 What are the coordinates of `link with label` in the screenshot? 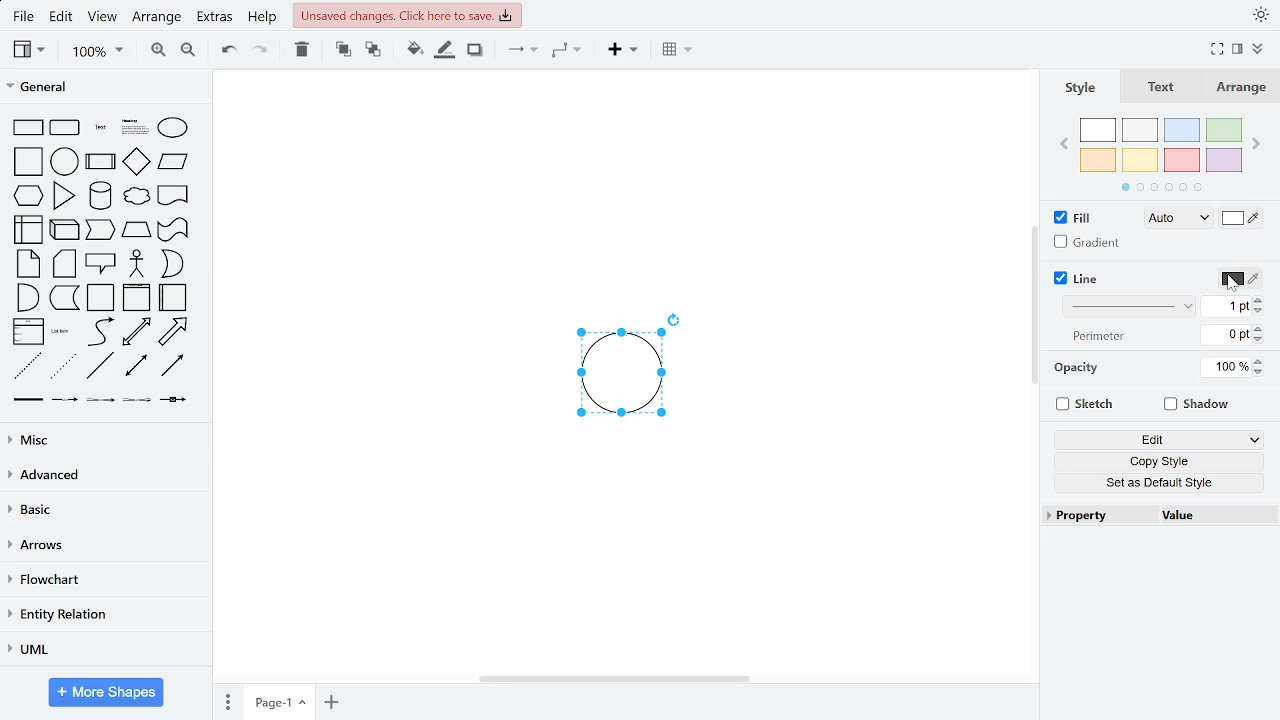 It's located at (65, 399).